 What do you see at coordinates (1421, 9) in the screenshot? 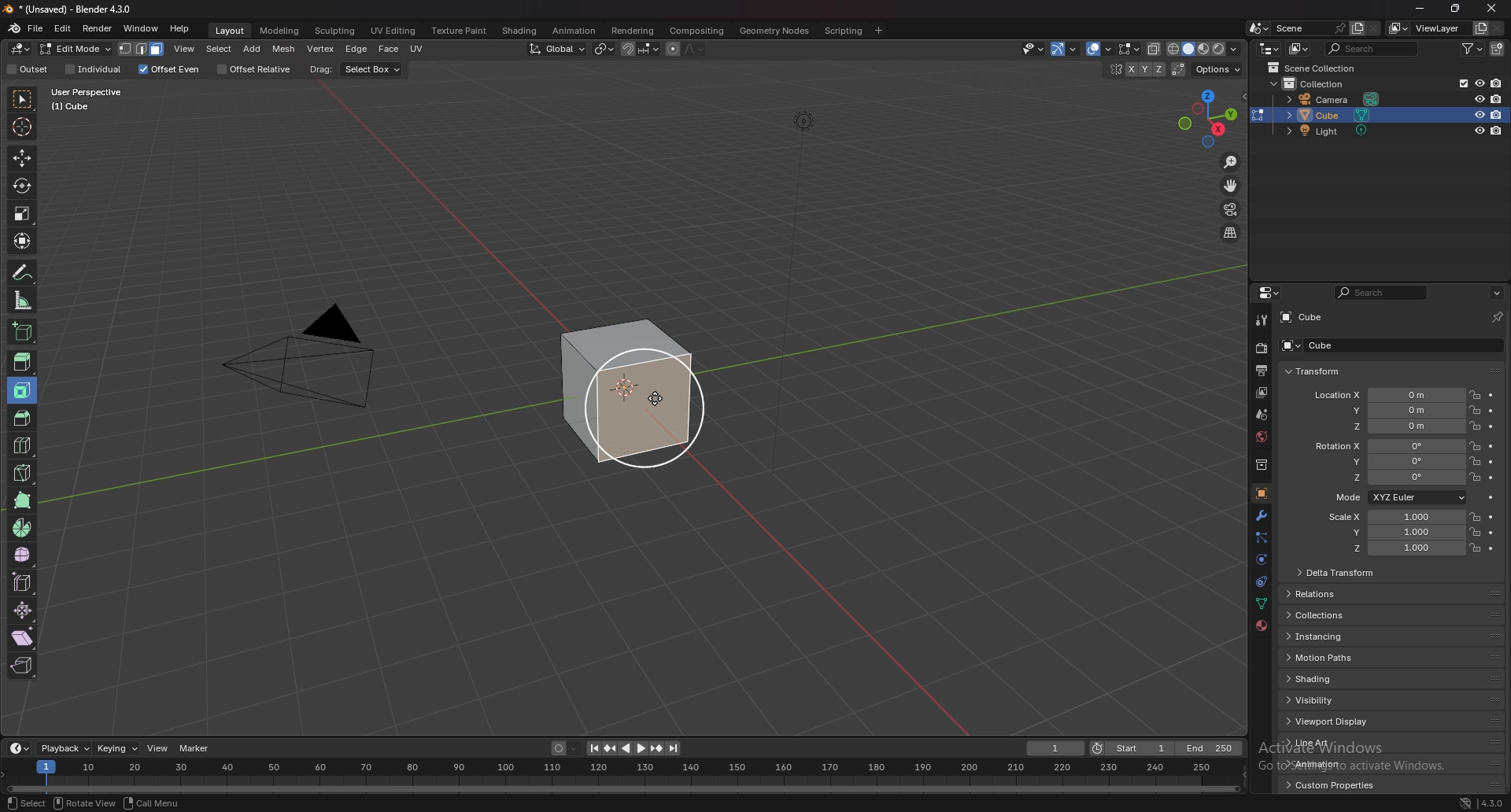
I see `minimize` at bounding box center [1421, 9].